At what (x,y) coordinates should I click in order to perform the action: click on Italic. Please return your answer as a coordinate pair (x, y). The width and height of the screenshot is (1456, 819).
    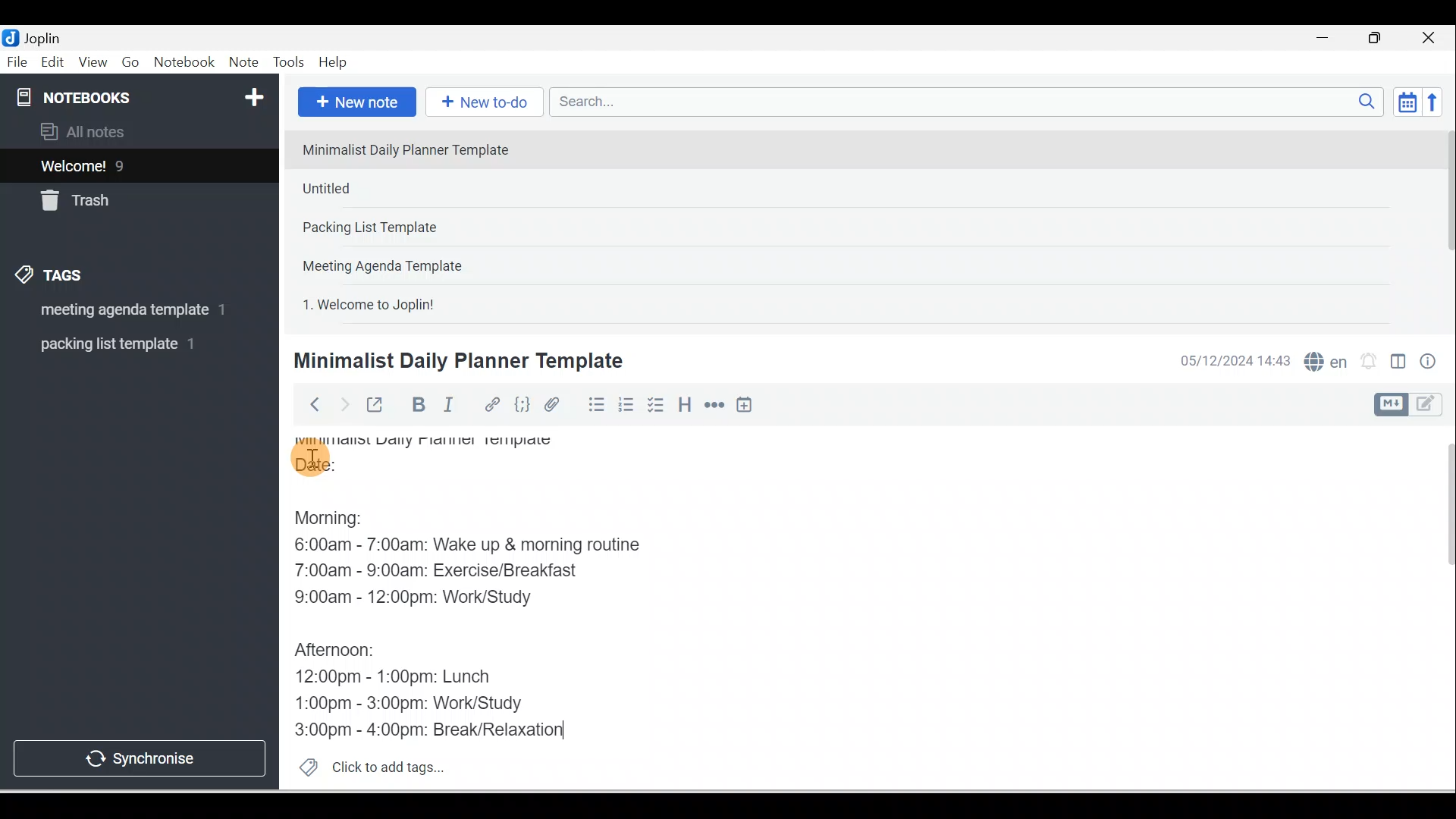
    Looking at the image, I should click on (451, 407).